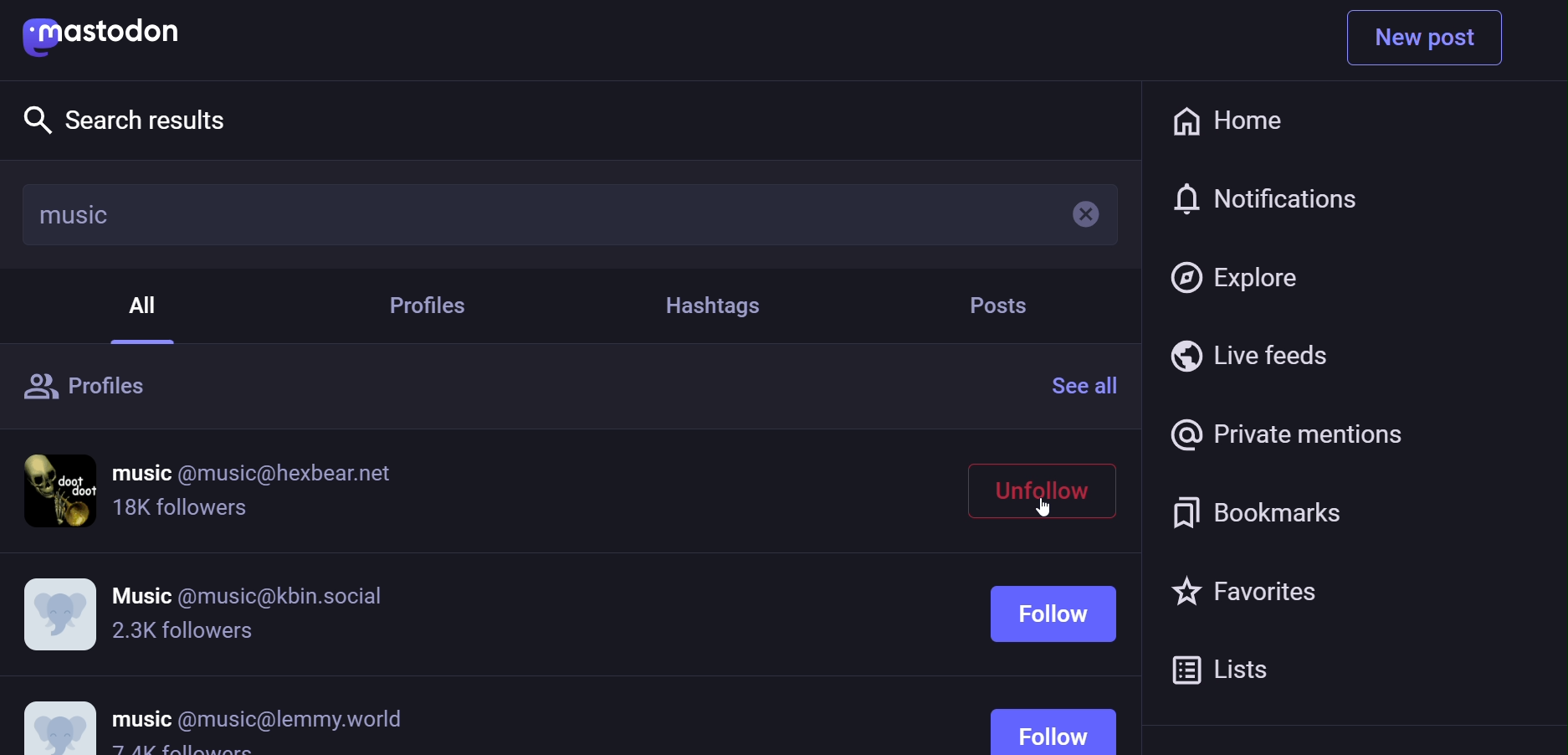  Describe the element at coordinates (131, 118) in the screenshot. I see `explore` at that location.